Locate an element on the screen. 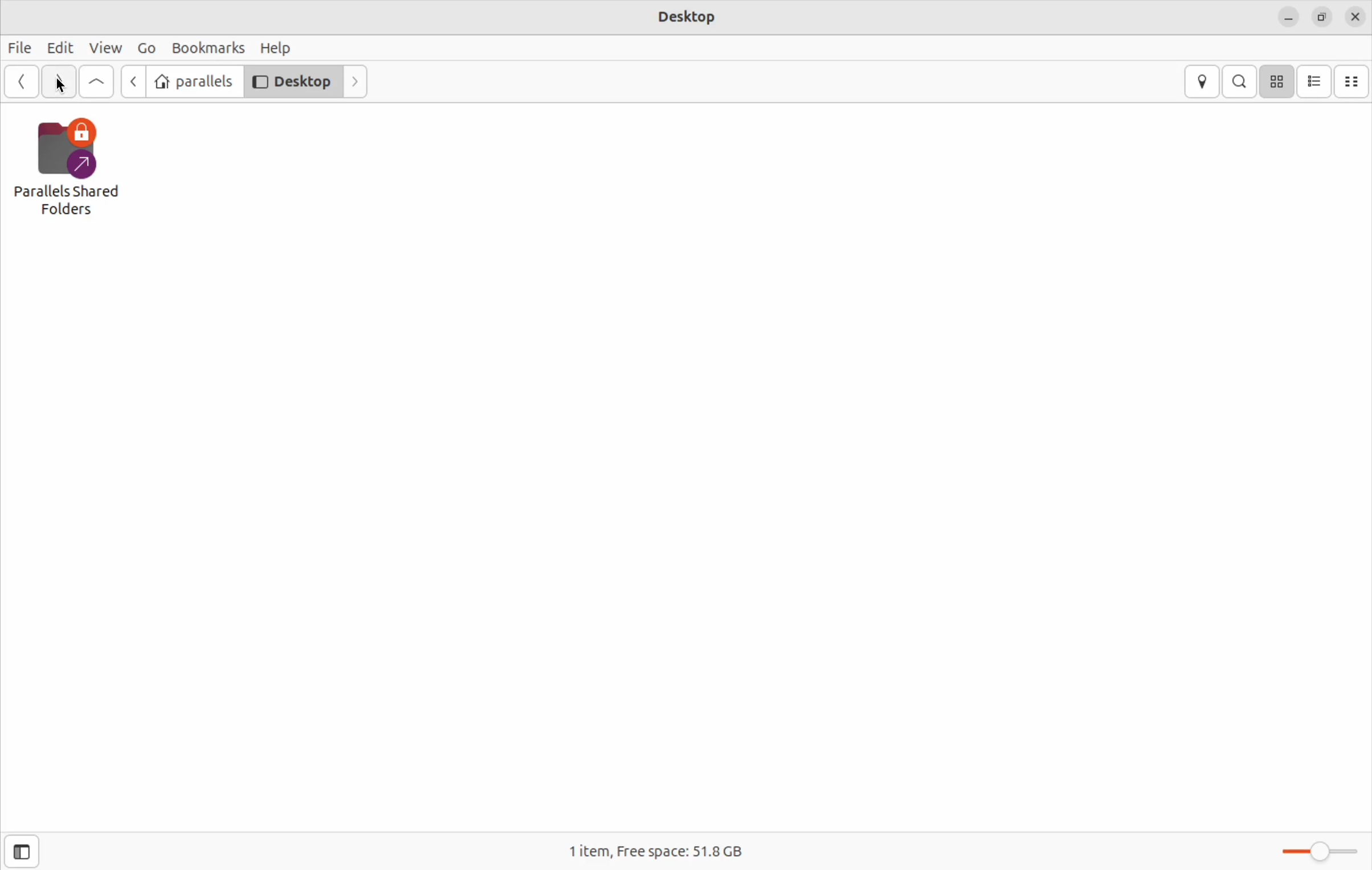  Go is located at coordinates (146, 47).